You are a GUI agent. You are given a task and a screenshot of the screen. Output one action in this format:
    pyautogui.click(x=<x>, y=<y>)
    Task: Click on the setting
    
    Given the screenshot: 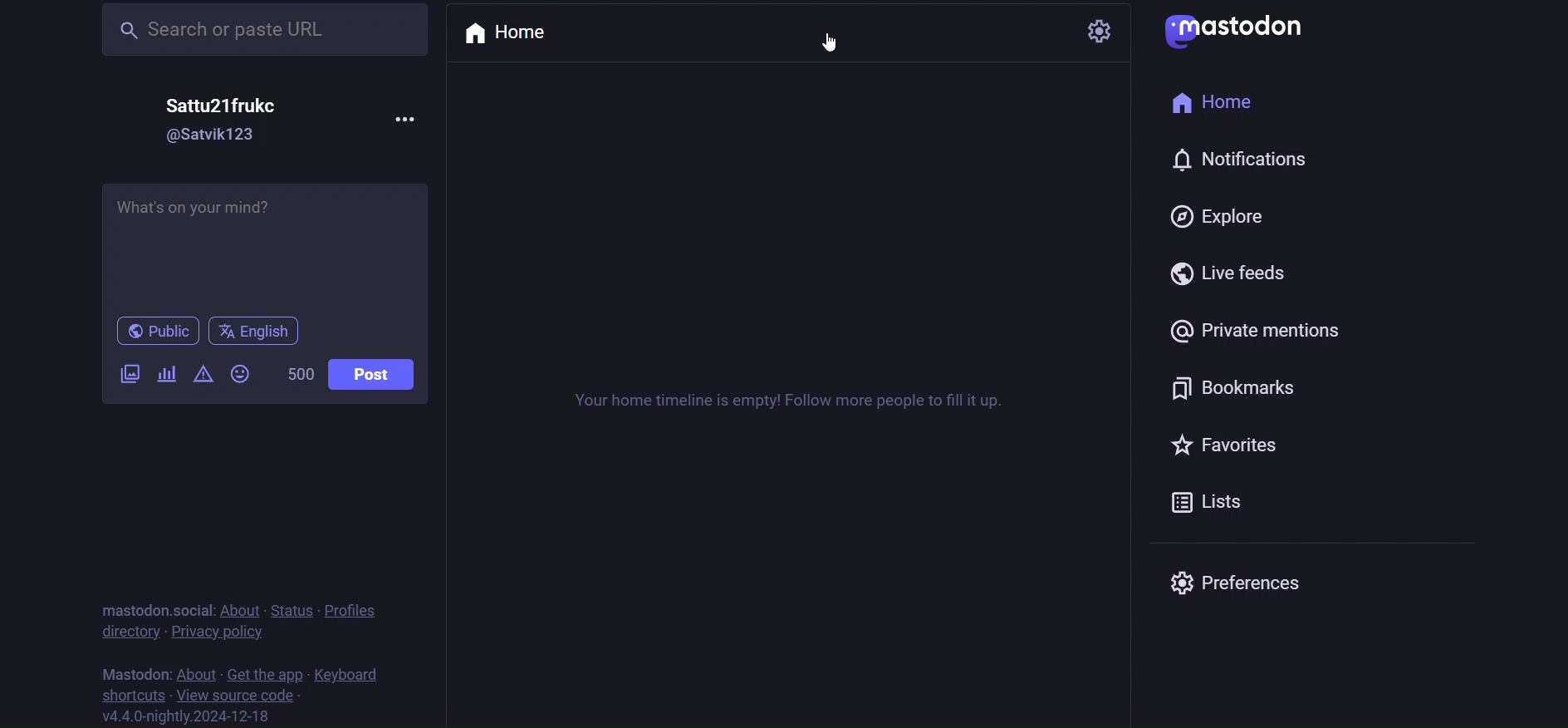 What is the action you would take?
    pyautogui.click(x=1100, y=32)
    